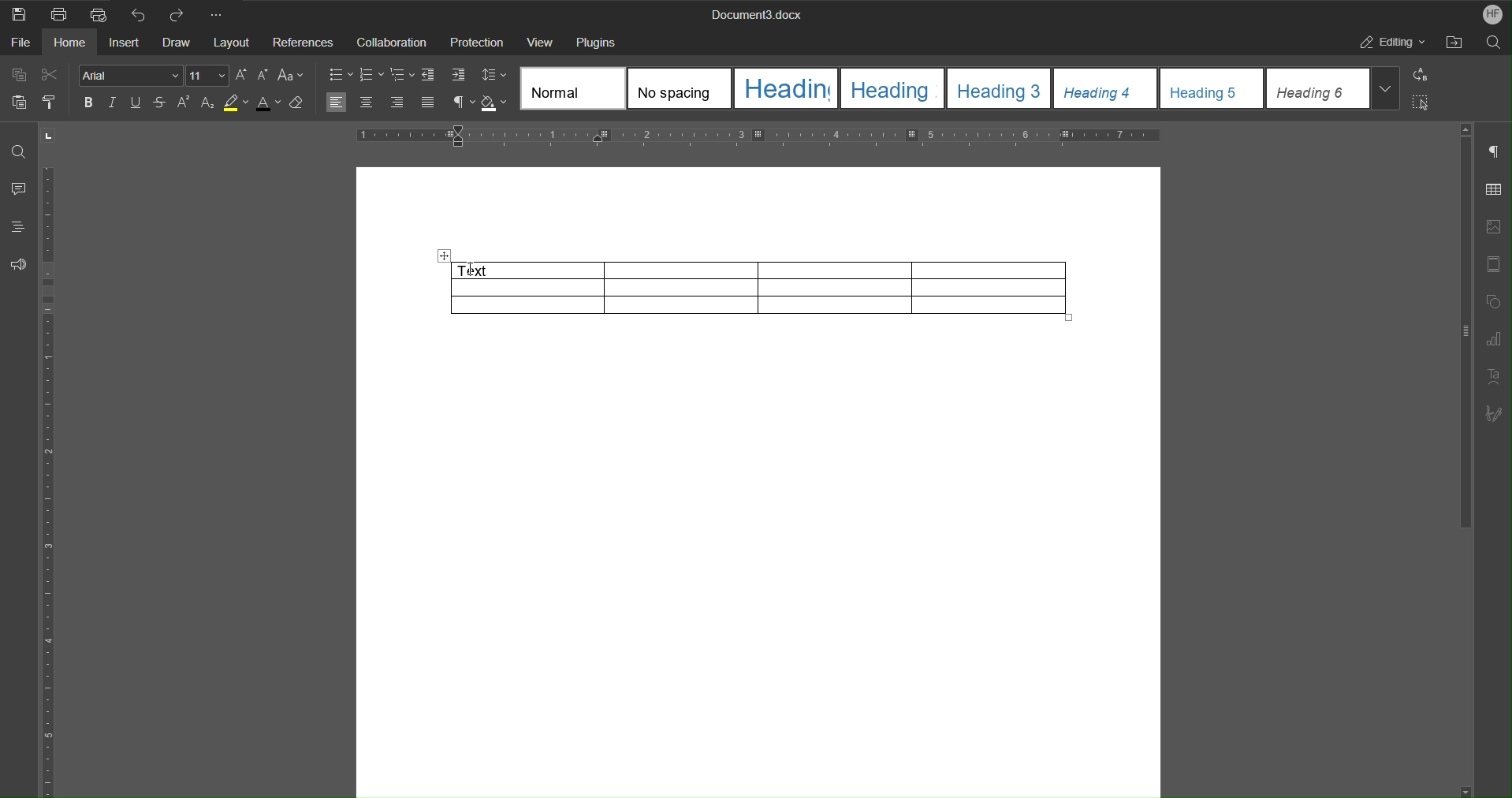 This screenshot has width=1512, height=798. I want to click on Shadow, so click(495, 103).